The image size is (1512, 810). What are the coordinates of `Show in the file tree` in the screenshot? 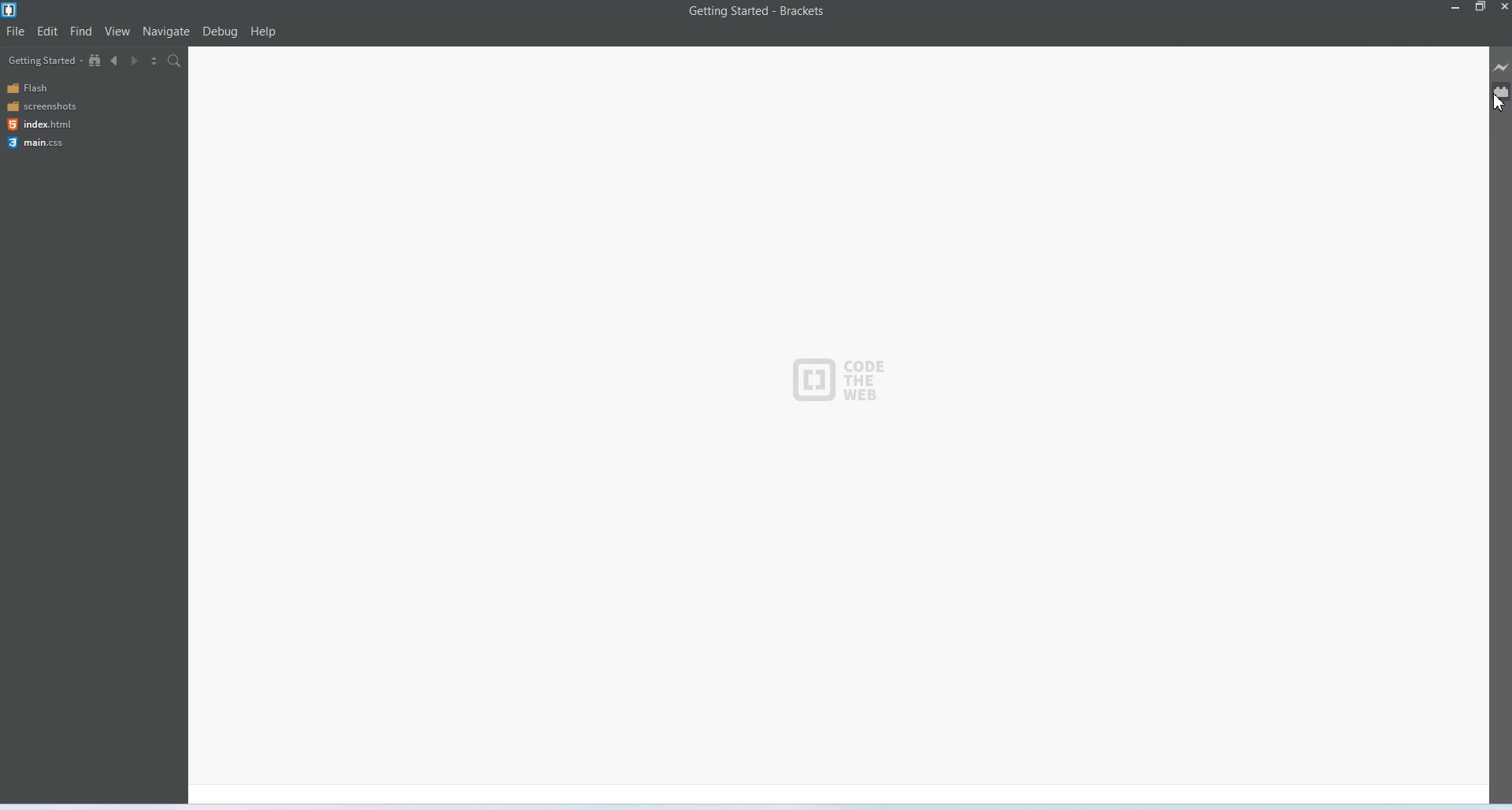 It's located at (96, 60).